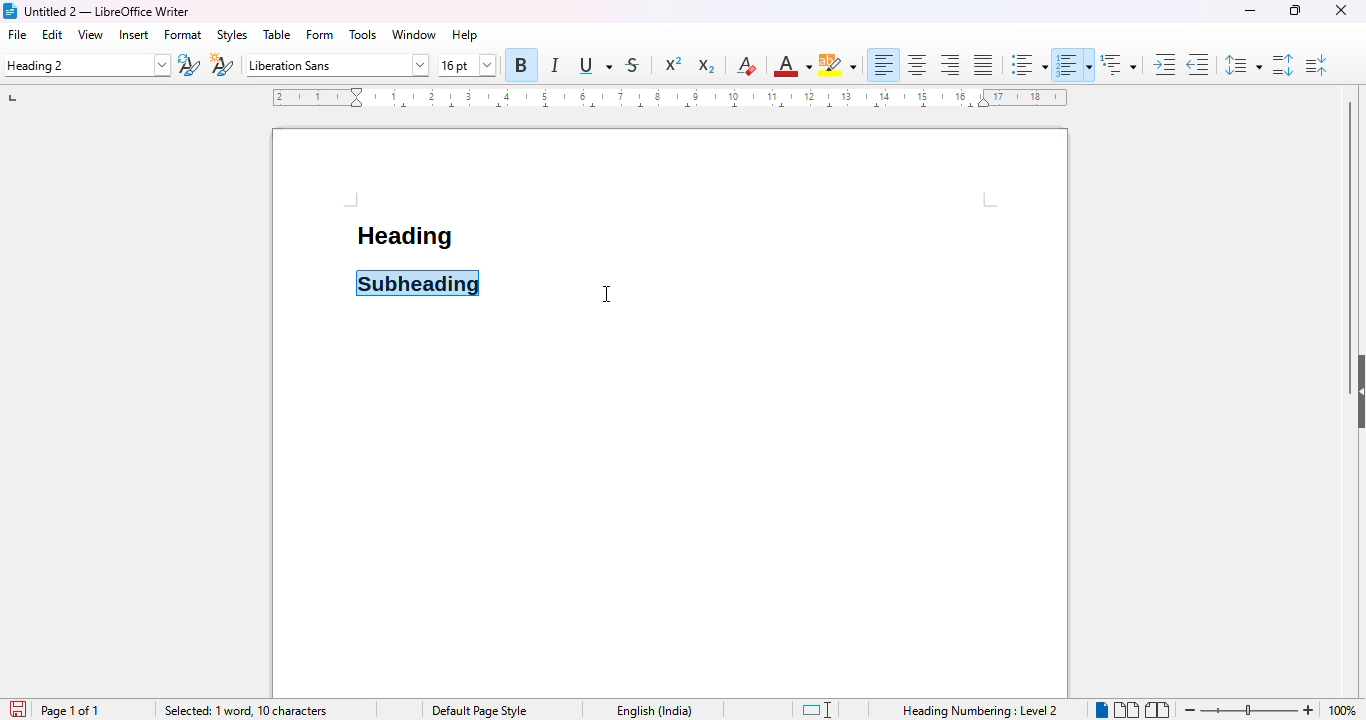  Describe the element at coordinates (184, 35) in the screenshot. I see `format` at that location.